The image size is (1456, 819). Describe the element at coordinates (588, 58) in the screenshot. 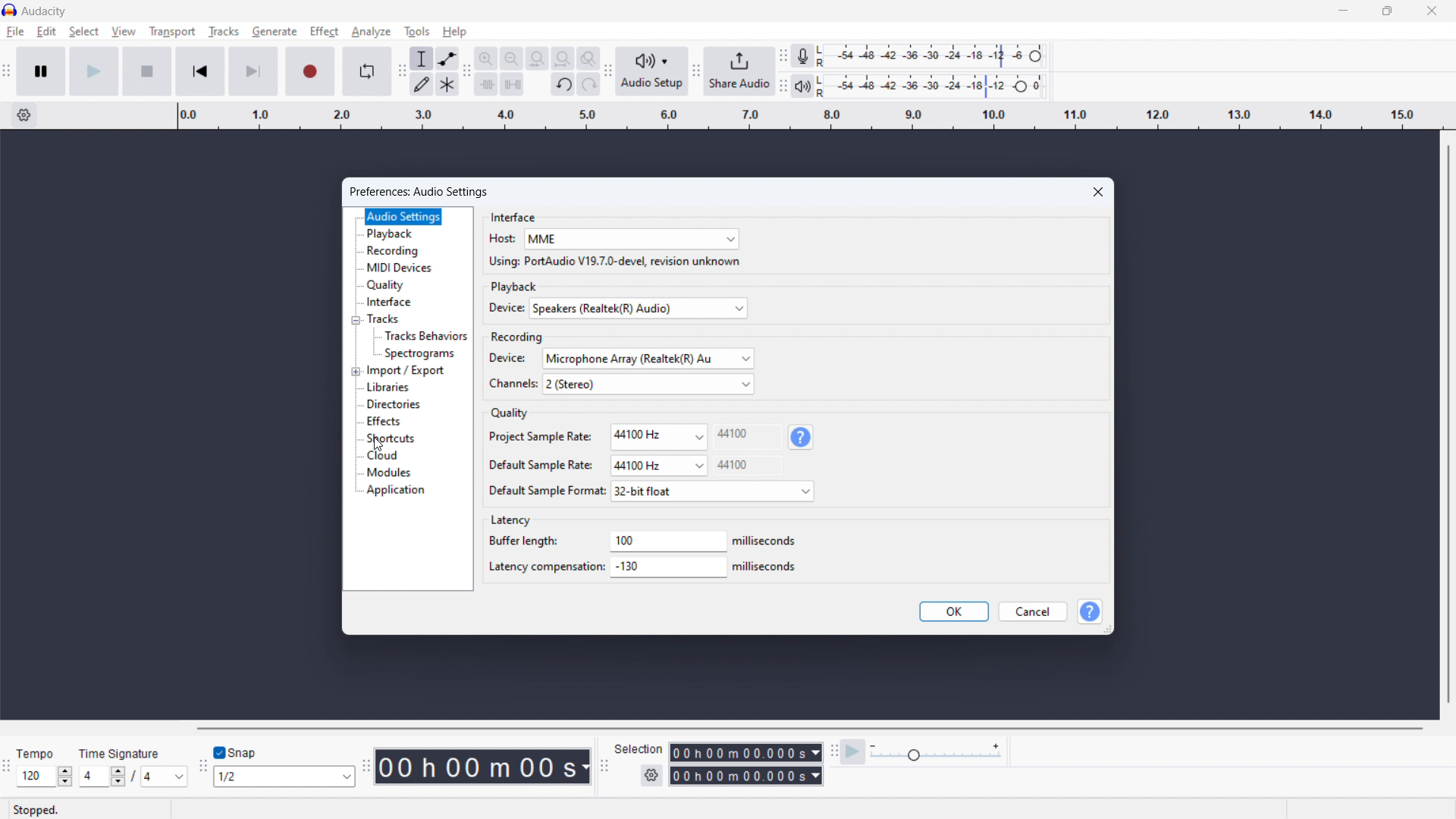

I see `toggle zoom` at that location.